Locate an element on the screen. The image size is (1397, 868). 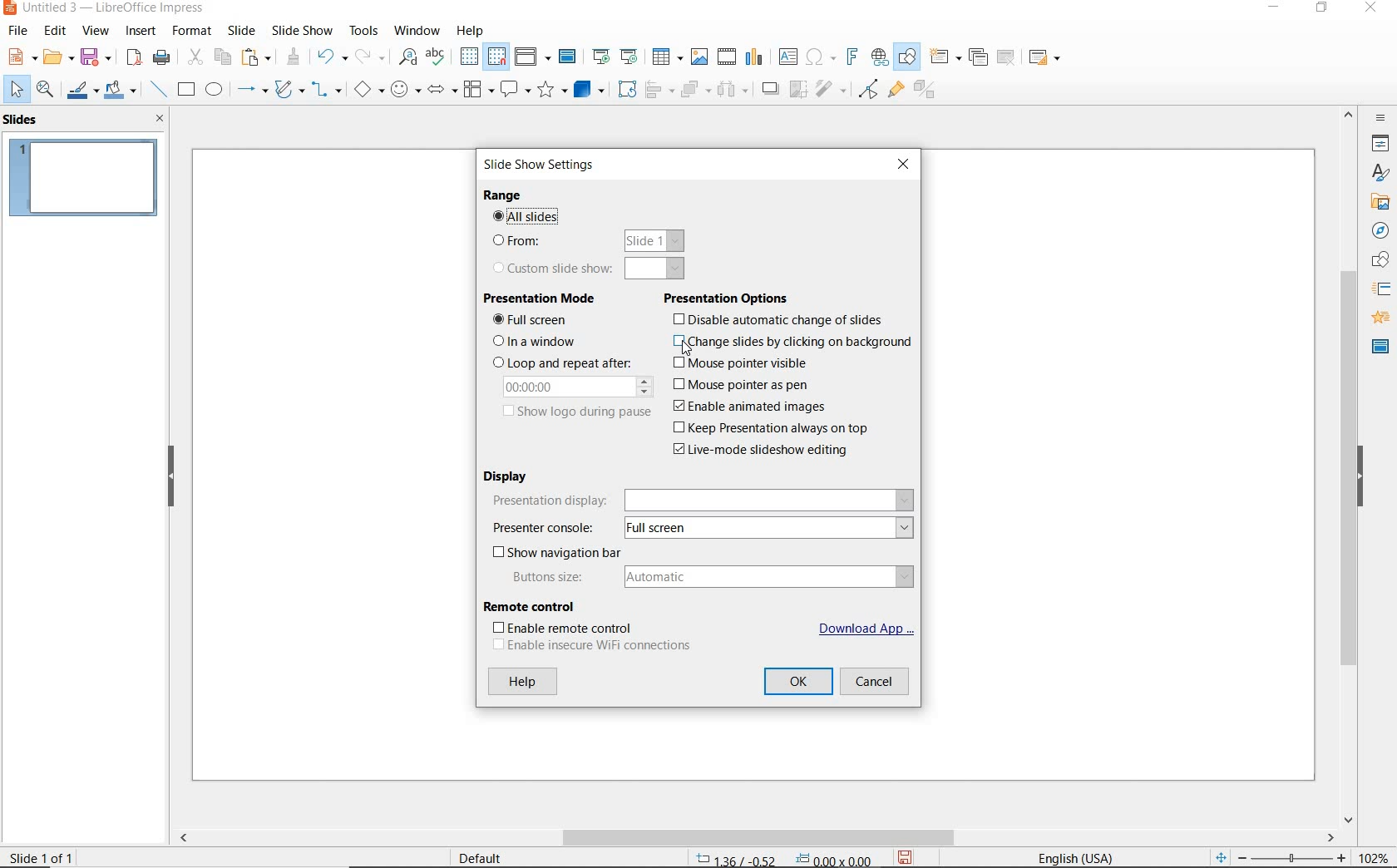
NAVIGATOR is located at coordinates (1380, 232).